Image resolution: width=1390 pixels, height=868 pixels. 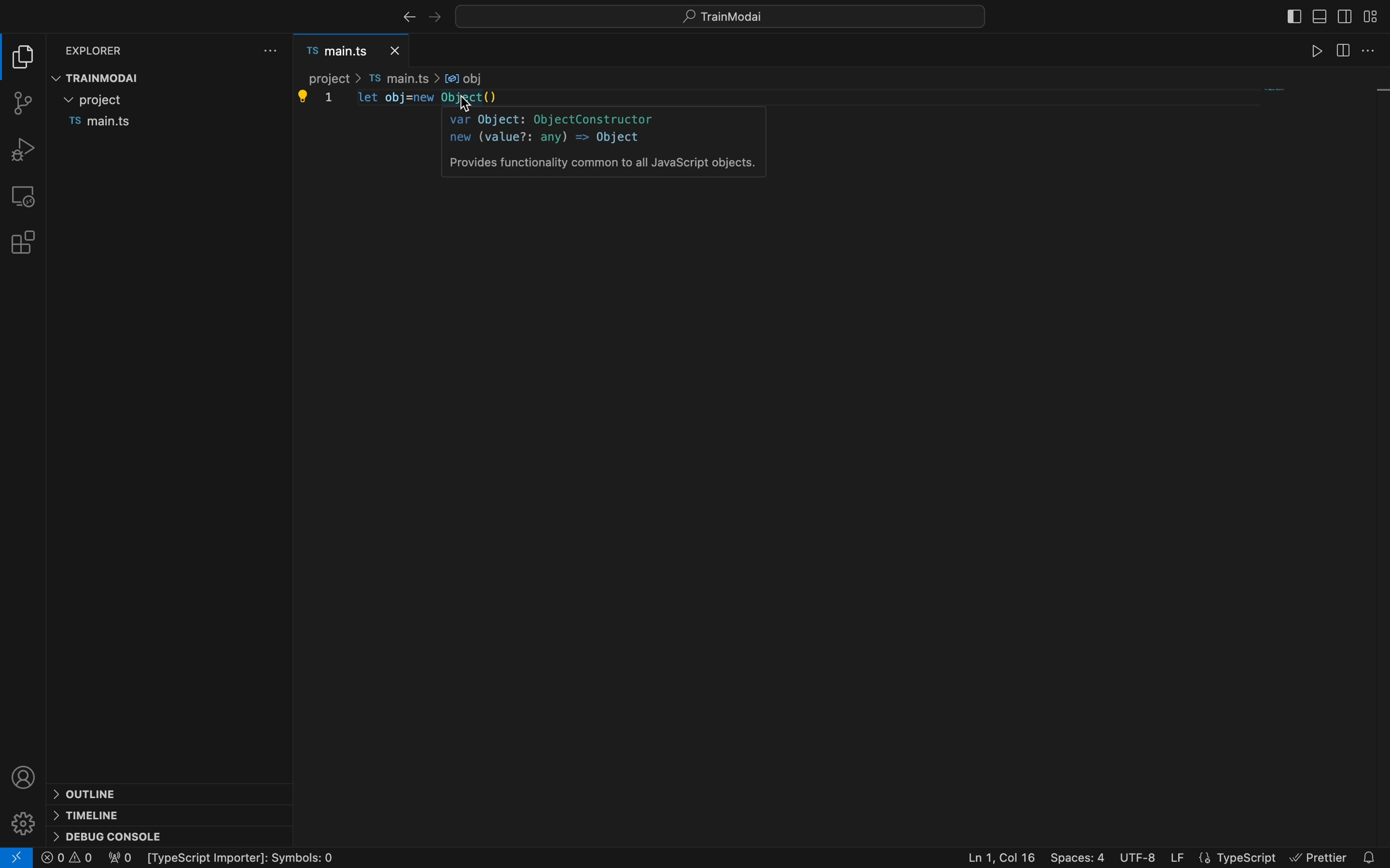 I want to click on profile, so click(x=26, y=776).